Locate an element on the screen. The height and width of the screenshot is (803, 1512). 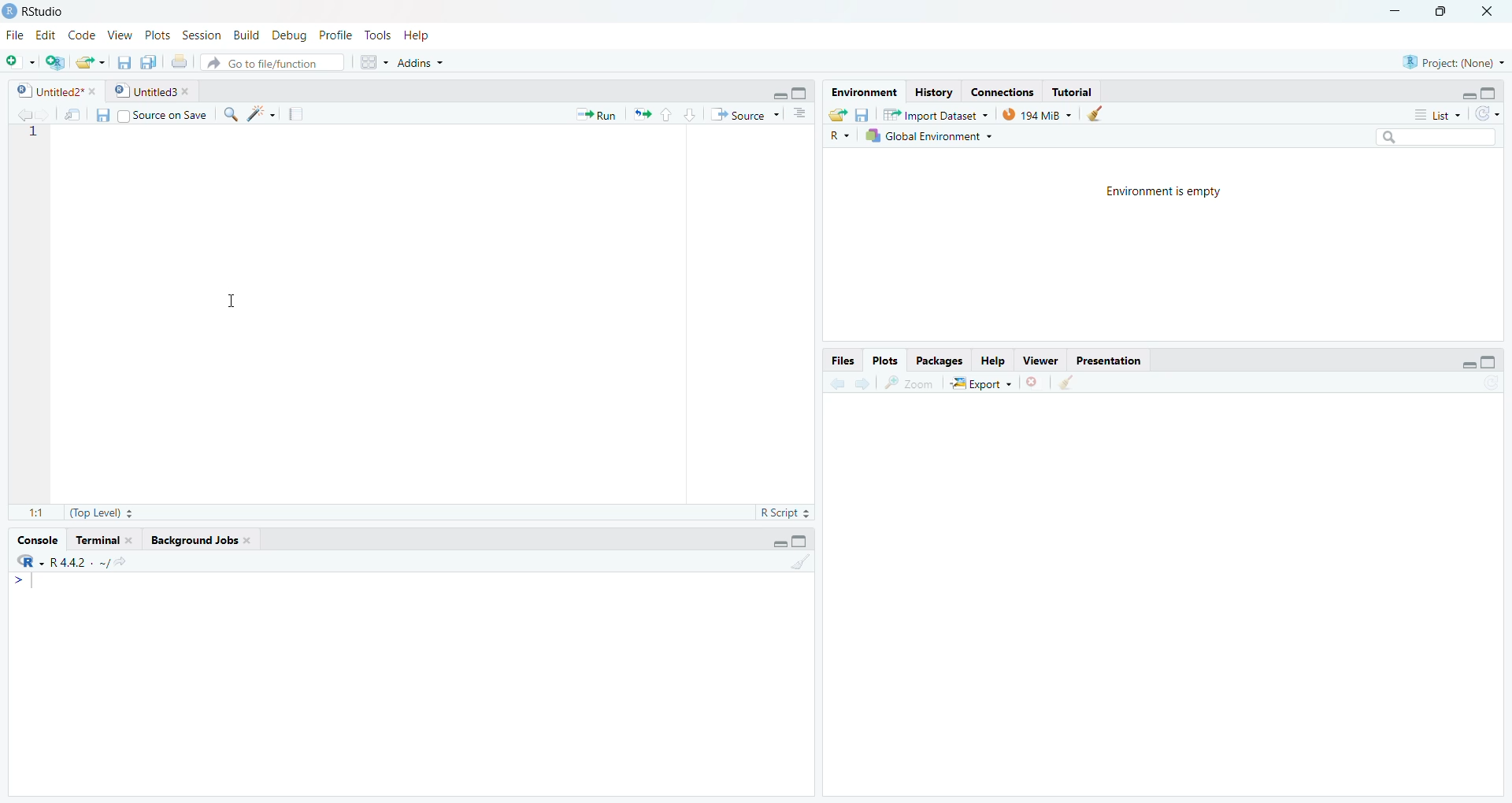
document outline is located at coordinates (801, 115).